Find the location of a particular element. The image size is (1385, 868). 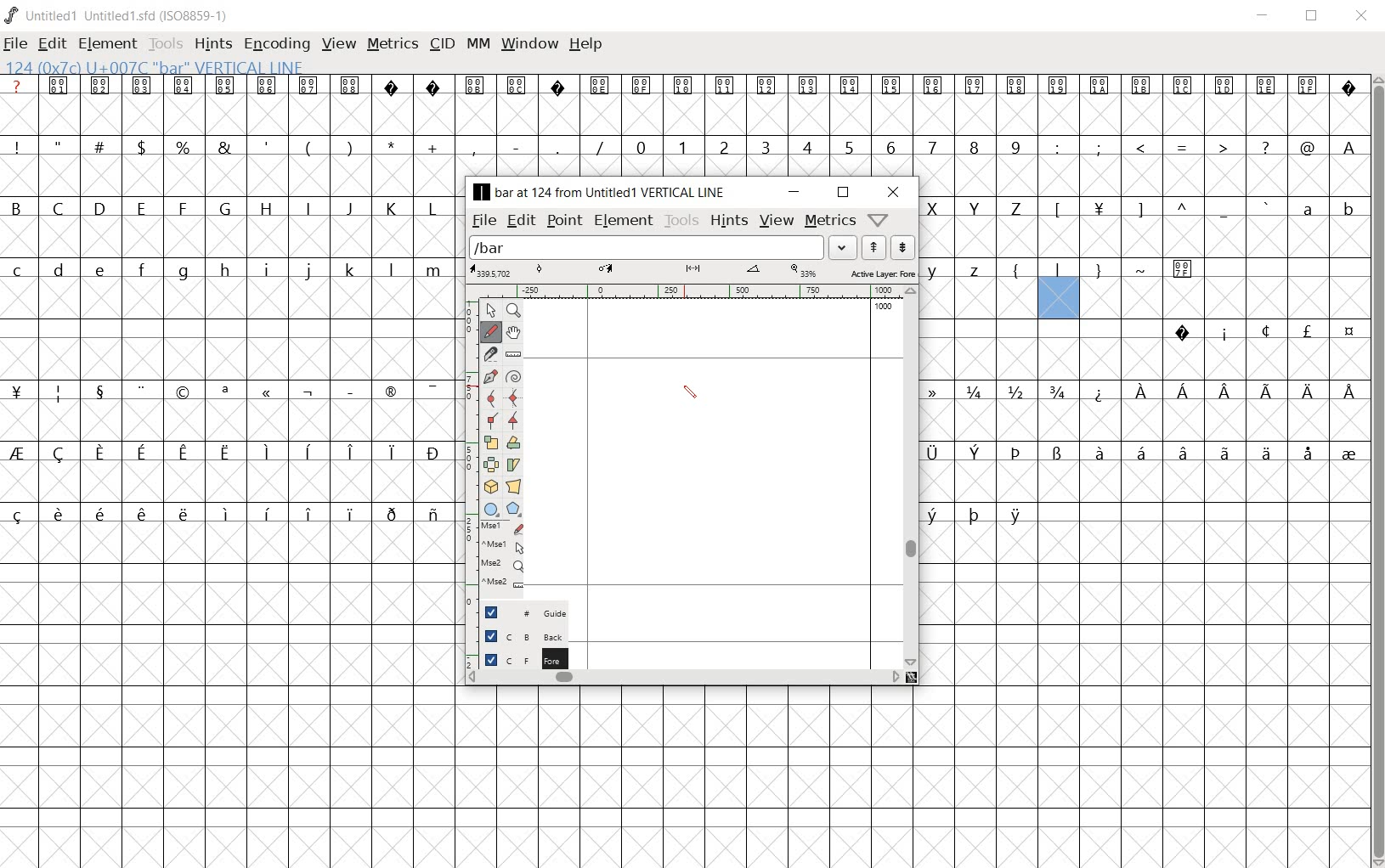

hints is located at coordinates (213, 44).